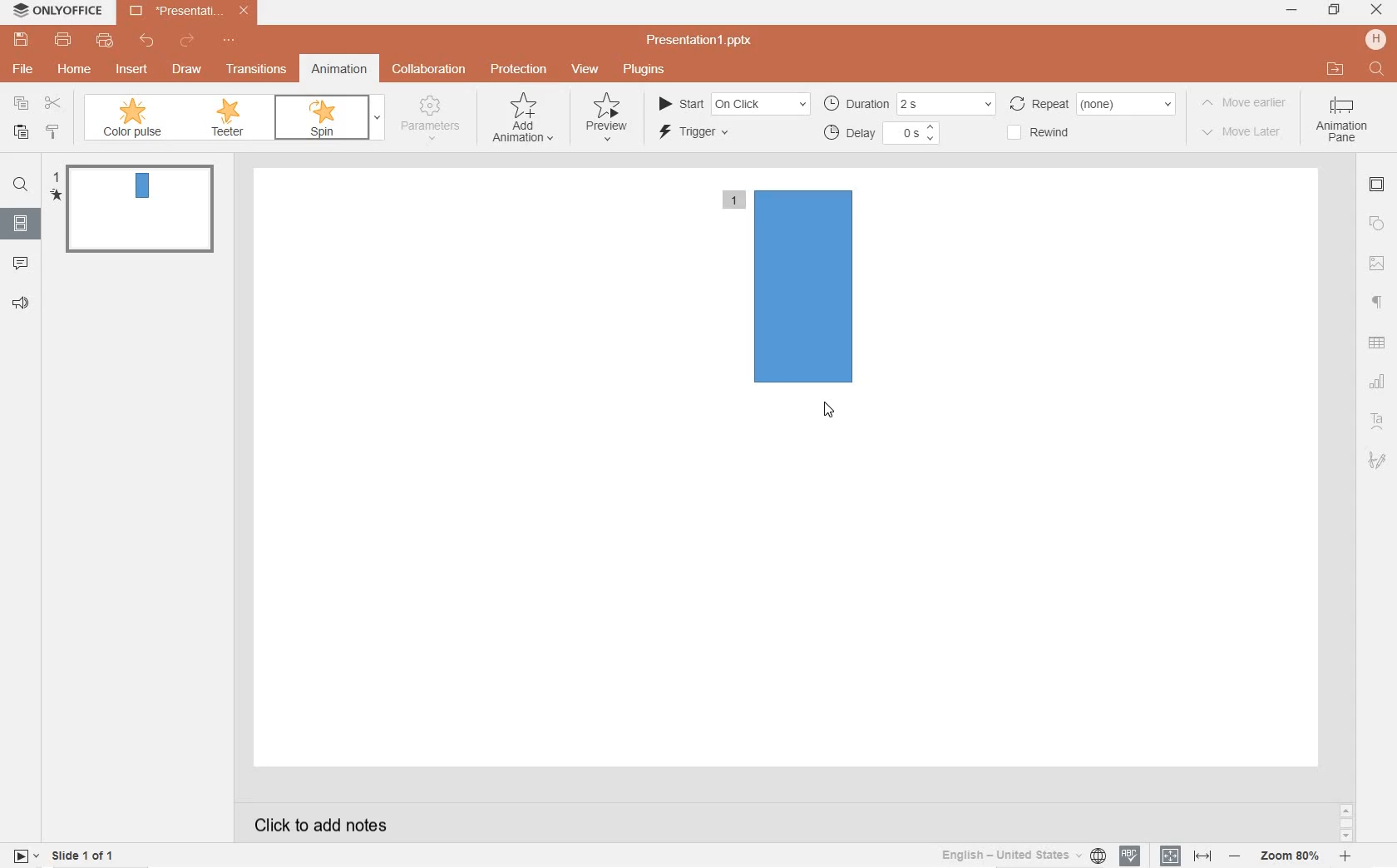  What do you see at coordinates (518, 71) in the screenshot?
I see `protection` at bounding box center [518, 71].